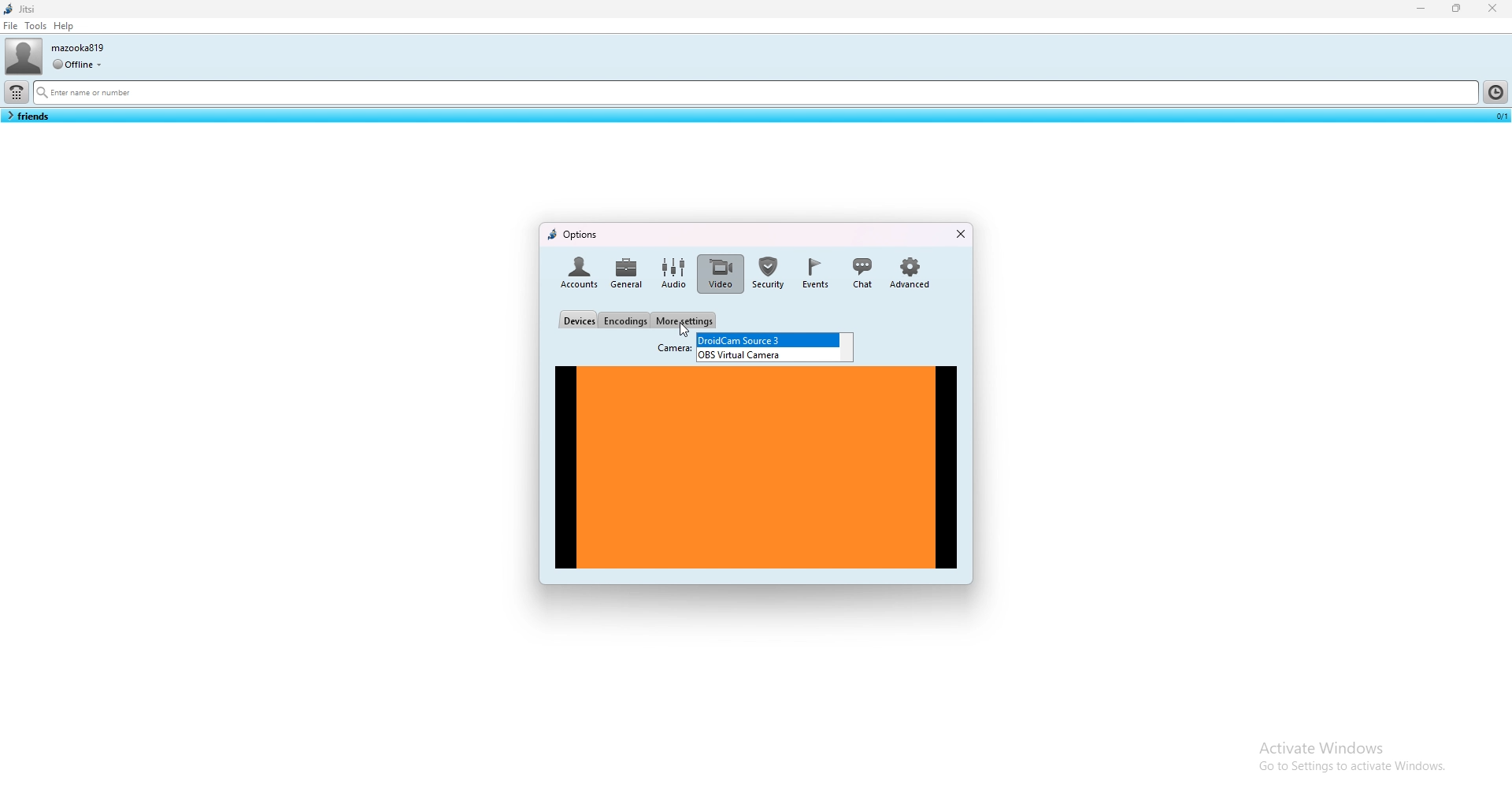 The height and width of the screenshot is (811, 1512). What do you see at coordinates (1495, 91) in the screenshot?
I see `history` at bounding box center [1495, 91].